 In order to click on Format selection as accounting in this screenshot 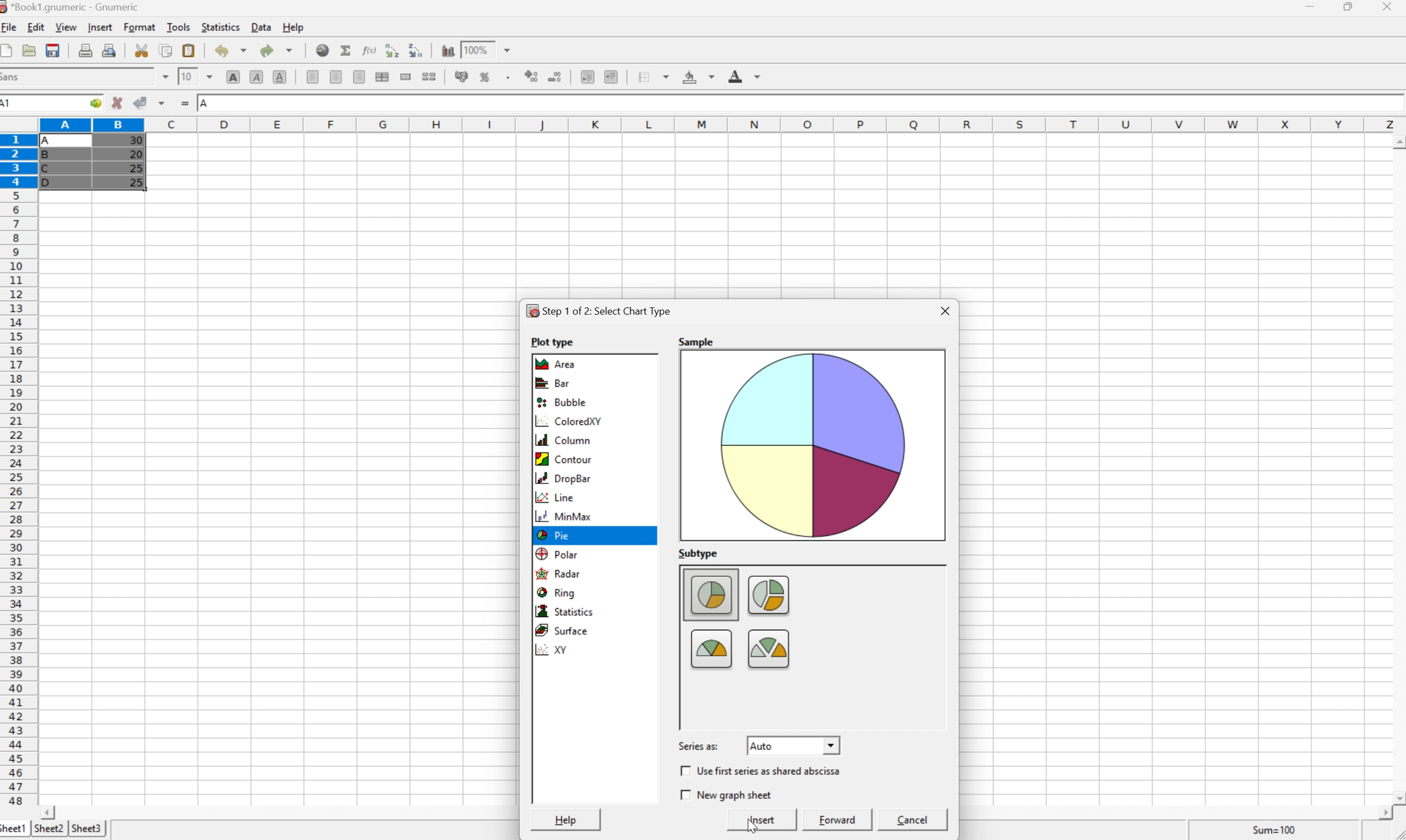, I will do `click(462, 76)`.